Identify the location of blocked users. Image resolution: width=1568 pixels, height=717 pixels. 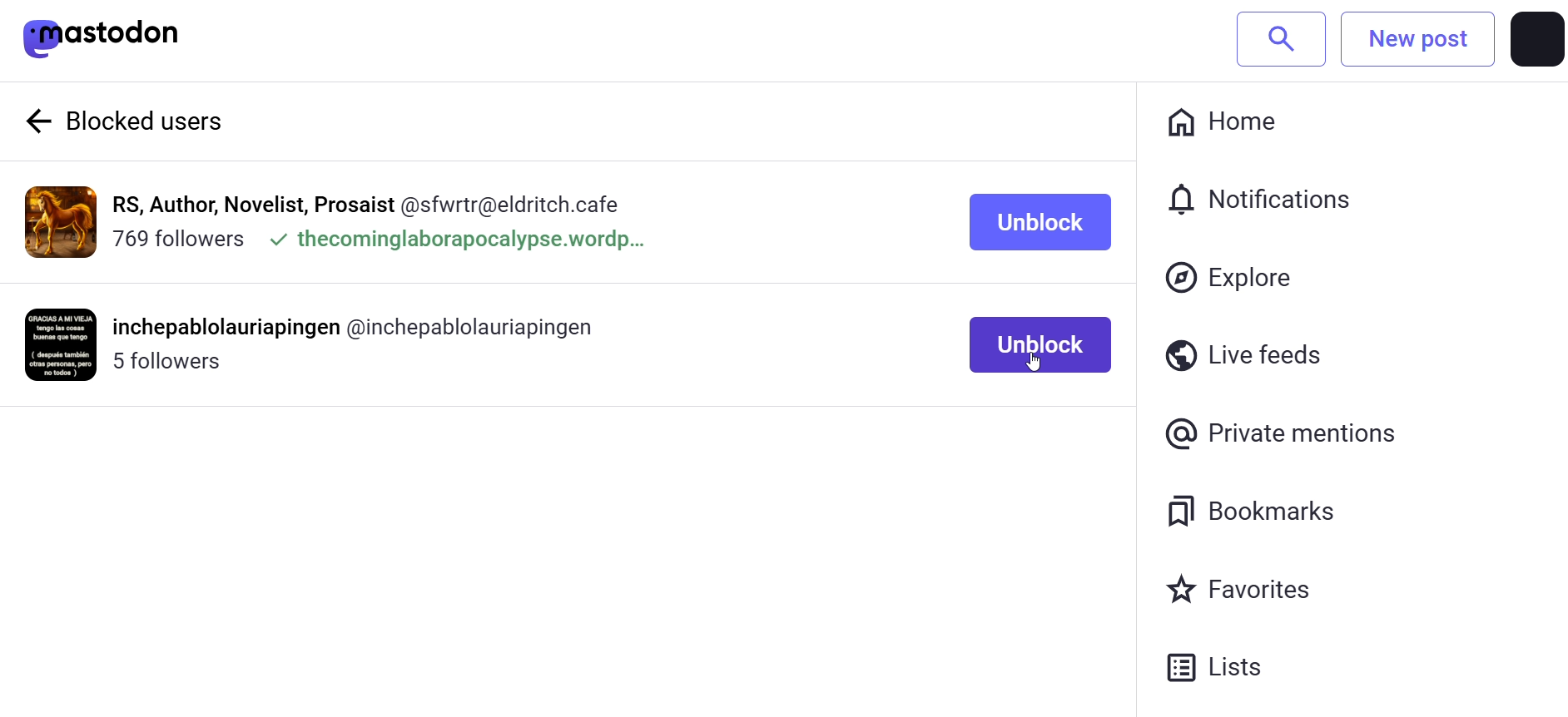
(167, 122).